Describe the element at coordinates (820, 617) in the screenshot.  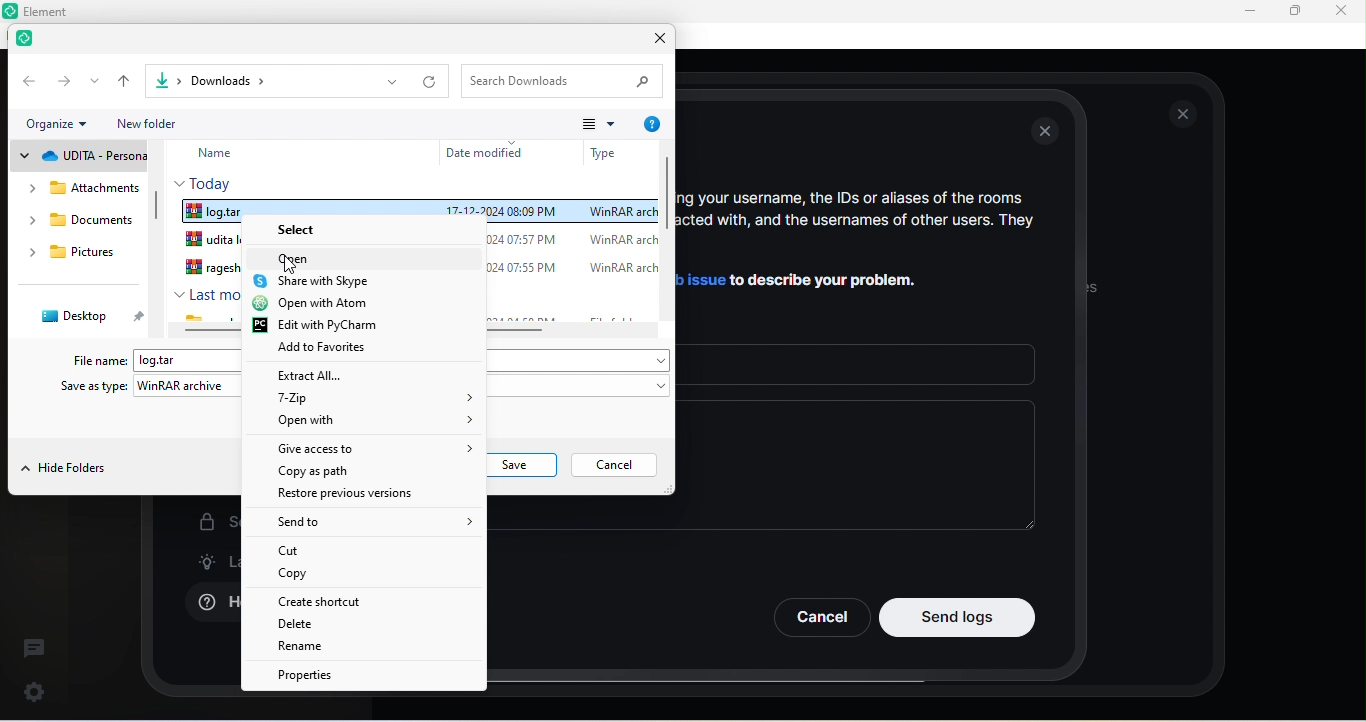
I see `Cancel` at that location.